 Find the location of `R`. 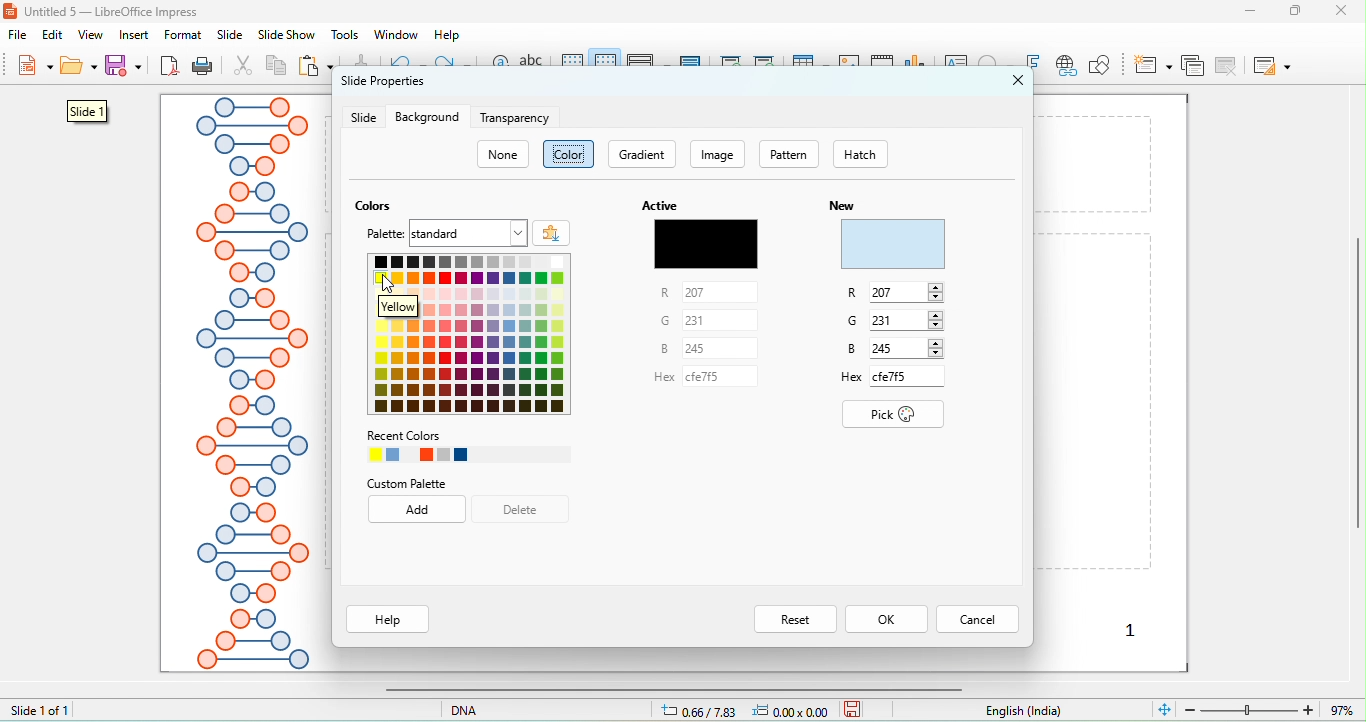

R is located at coordinates (895, 294).